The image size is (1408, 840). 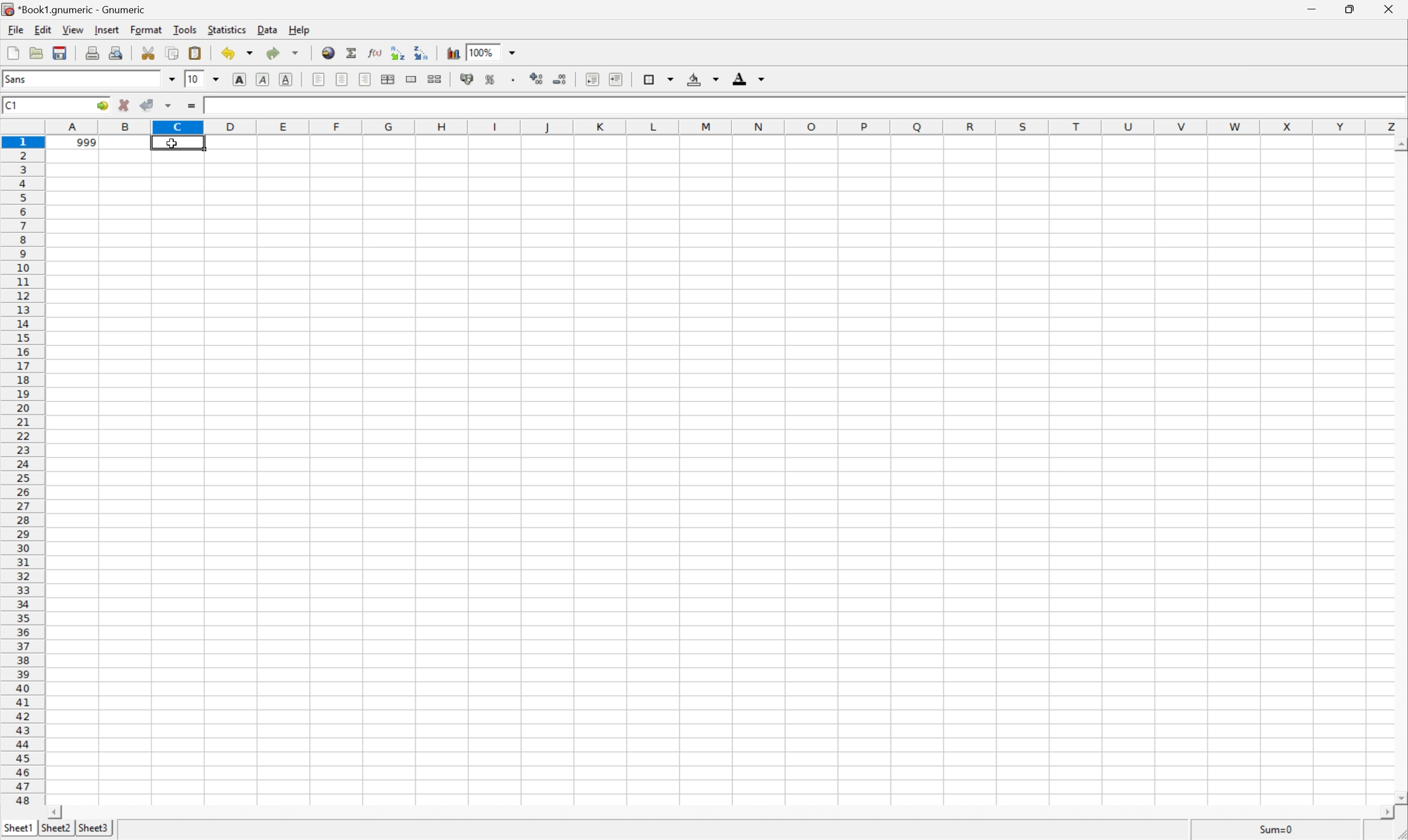 What do you see at coordinates (365, 79) in the screenshot?
I see `Align right` at bounding box center [365, 79].